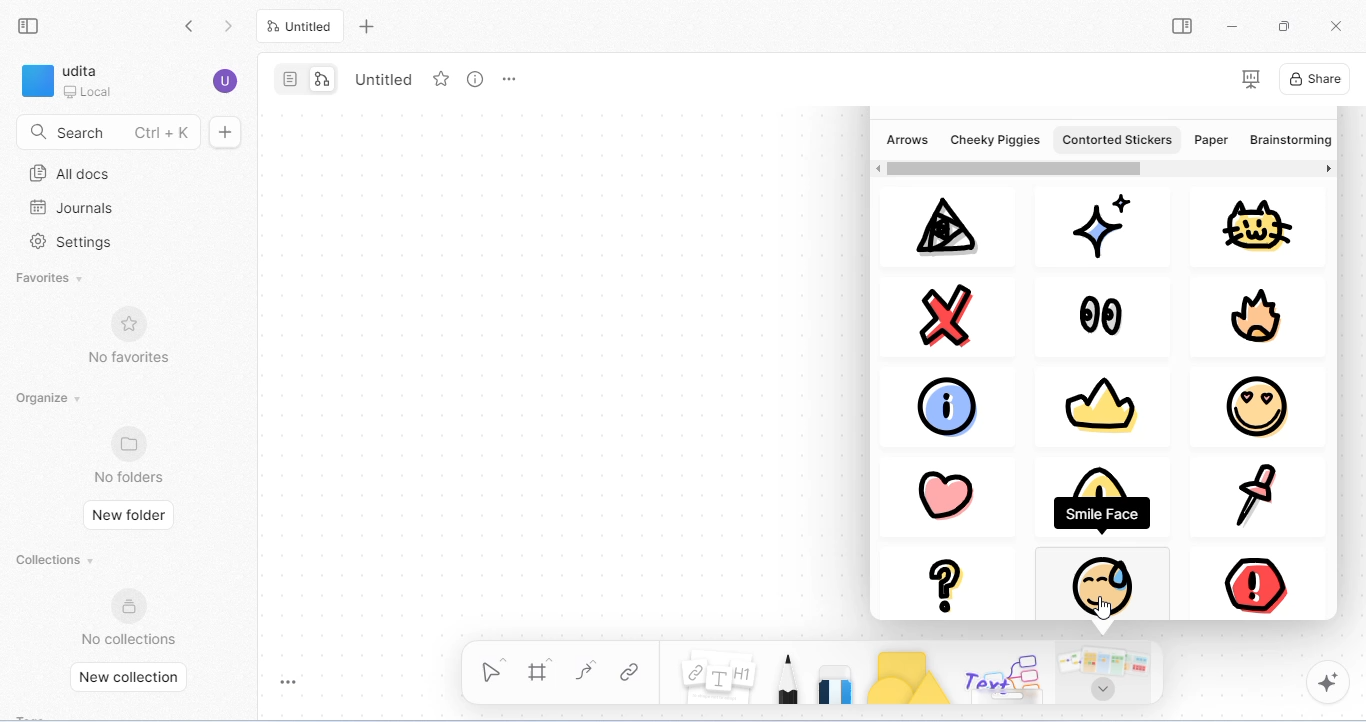 Image resolution: width=1366 pixels, height=722 pixels. What do you see at coordinates (1315, 78) in the screenshot?
I see `share` at bounding box center [1315, 78].